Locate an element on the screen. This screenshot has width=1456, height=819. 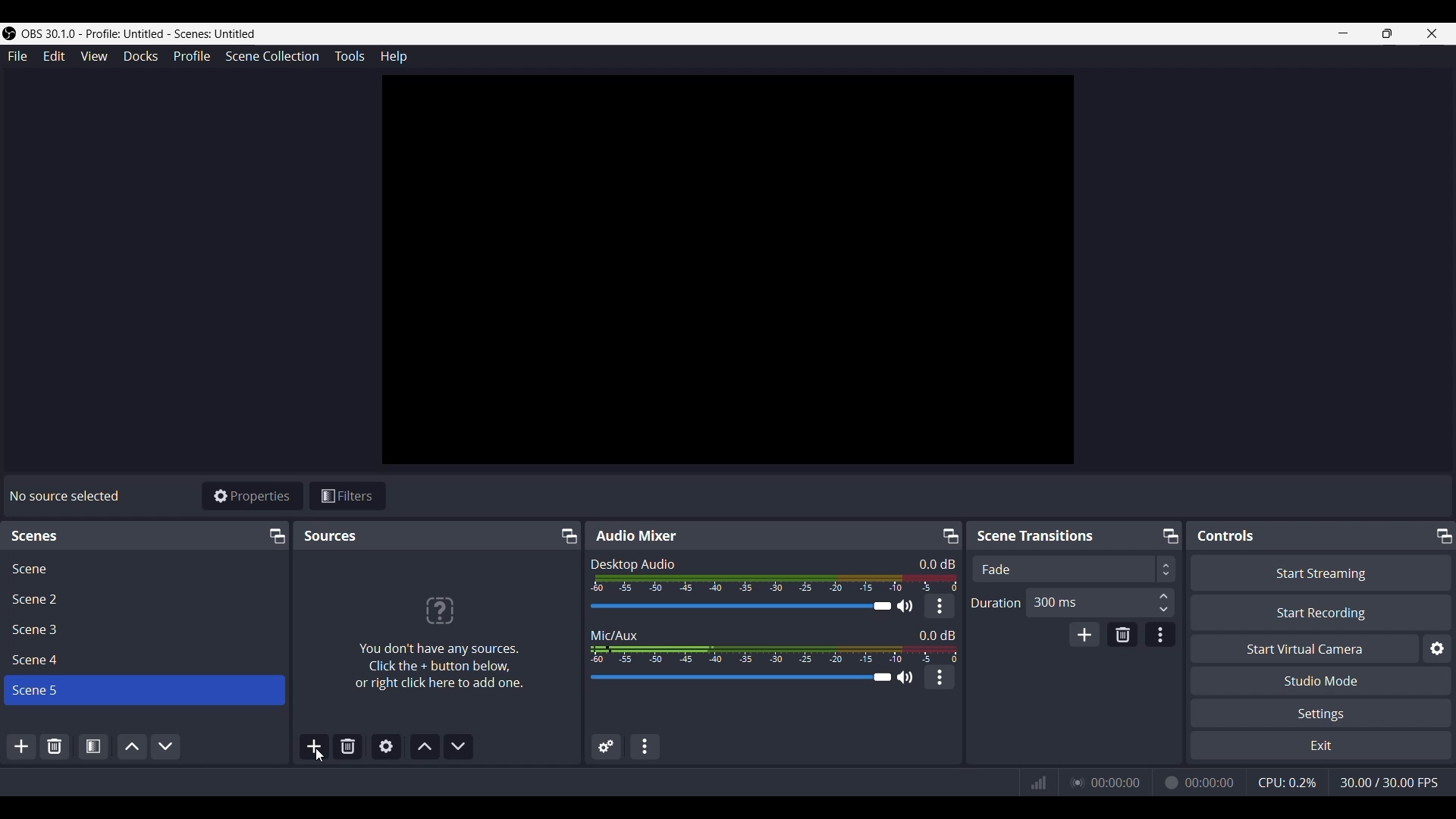
Scene File is located at coordinates (143, 566).